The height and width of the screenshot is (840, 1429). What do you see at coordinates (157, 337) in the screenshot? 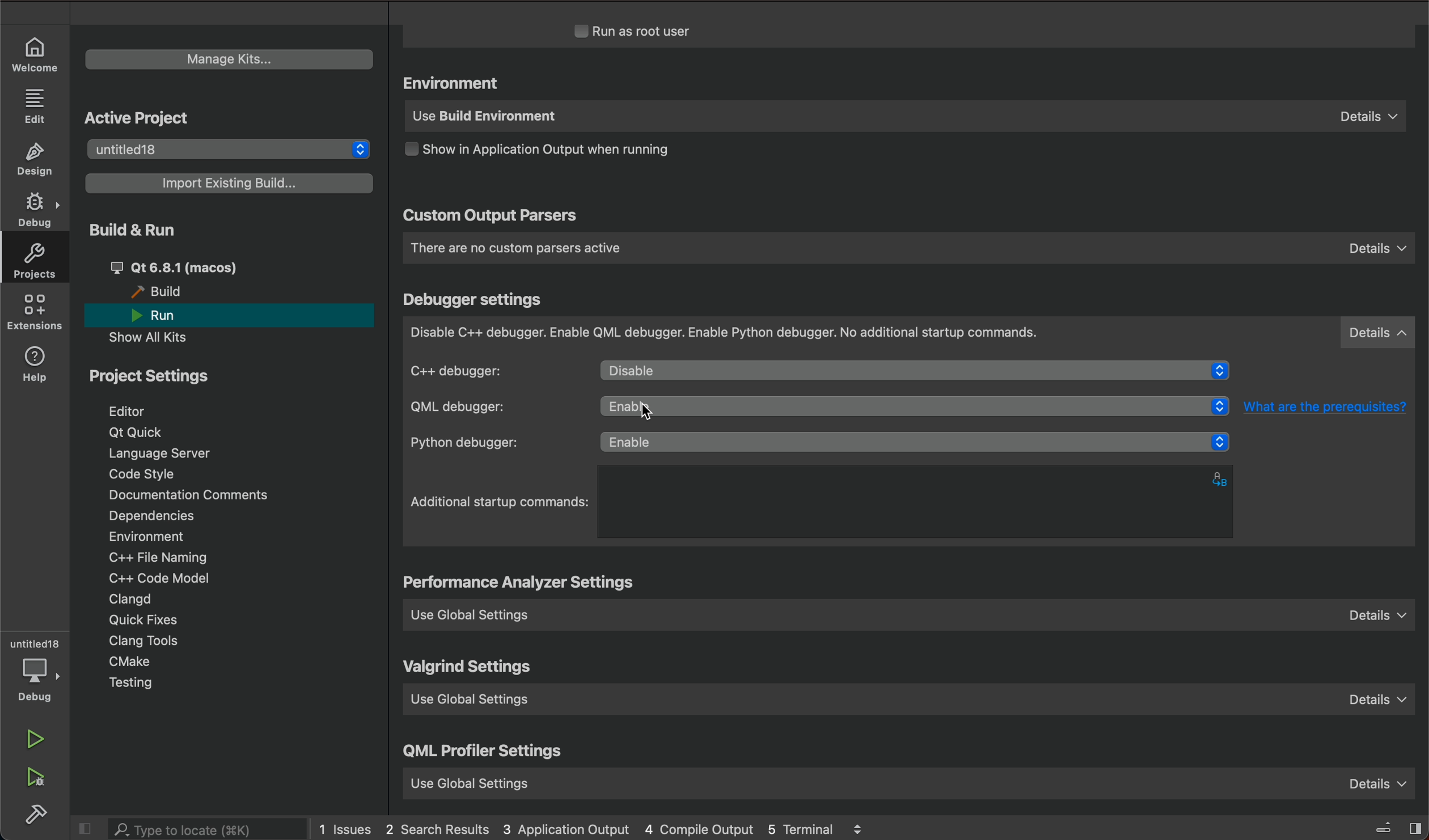
I see `show all` at bounding box center [157, 337].